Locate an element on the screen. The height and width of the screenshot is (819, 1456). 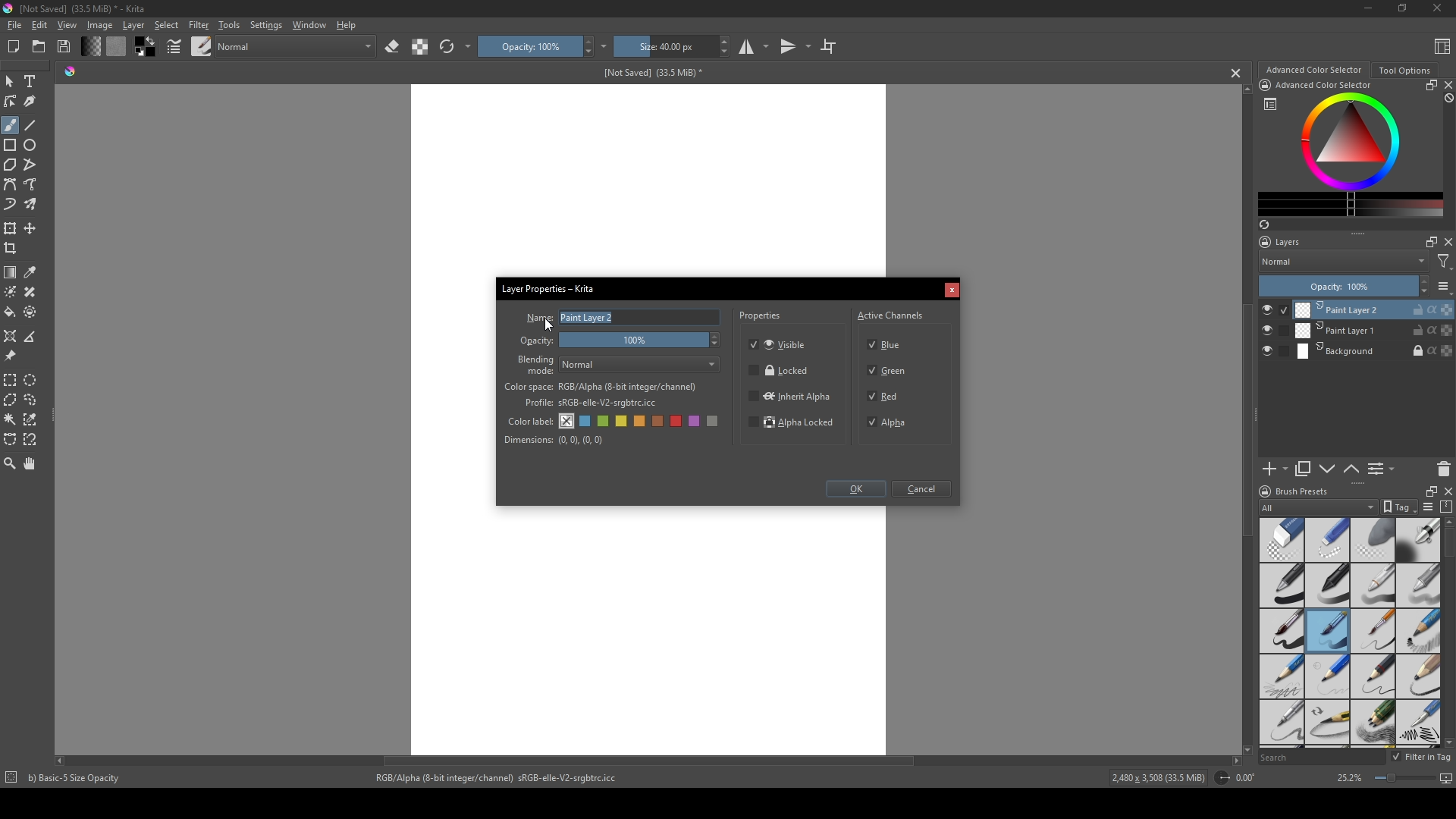
0.00 is located at coordinates (1250, 778).